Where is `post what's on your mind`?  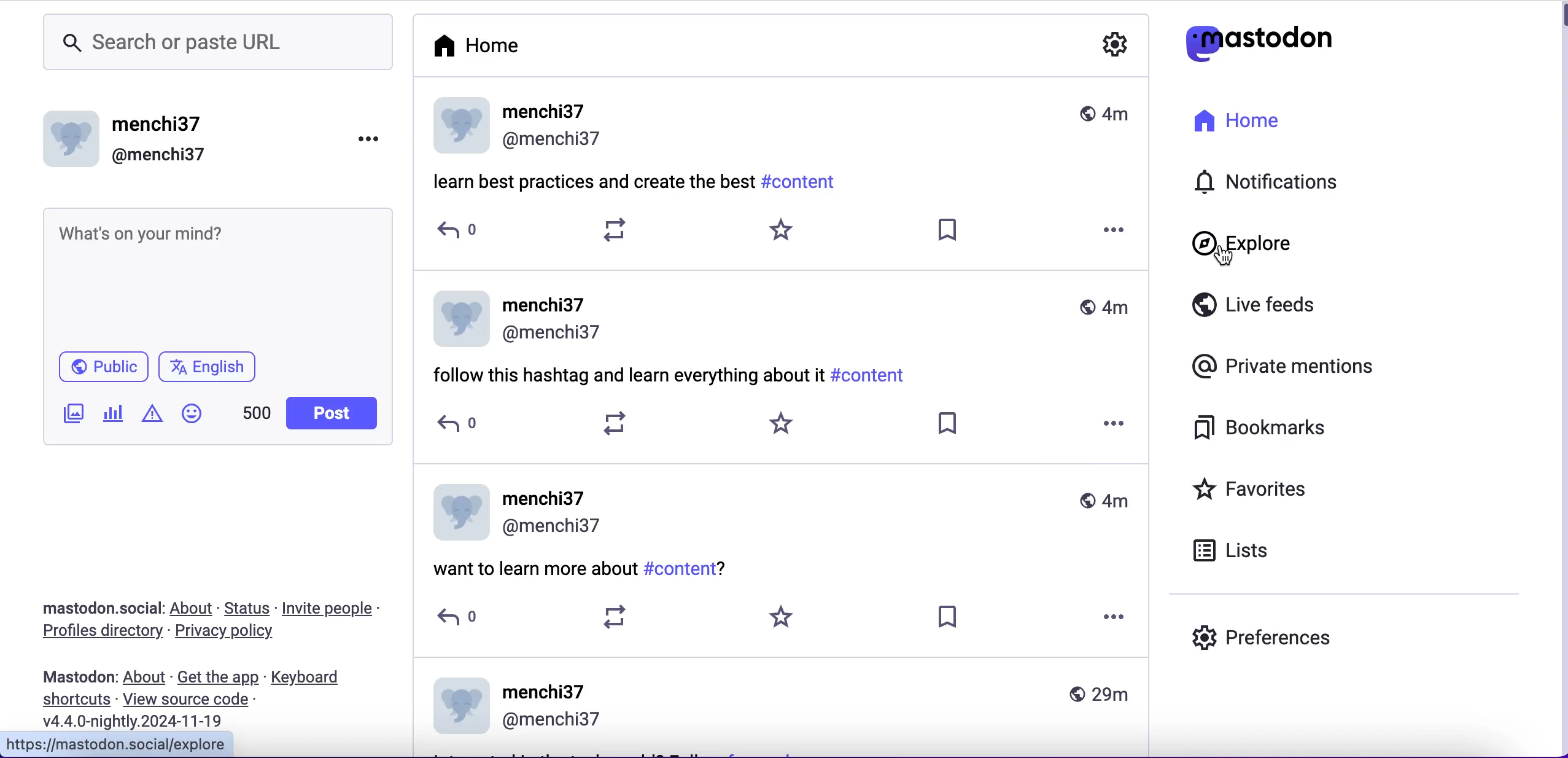 post what's on your mind is located at coordinates (217, 272).